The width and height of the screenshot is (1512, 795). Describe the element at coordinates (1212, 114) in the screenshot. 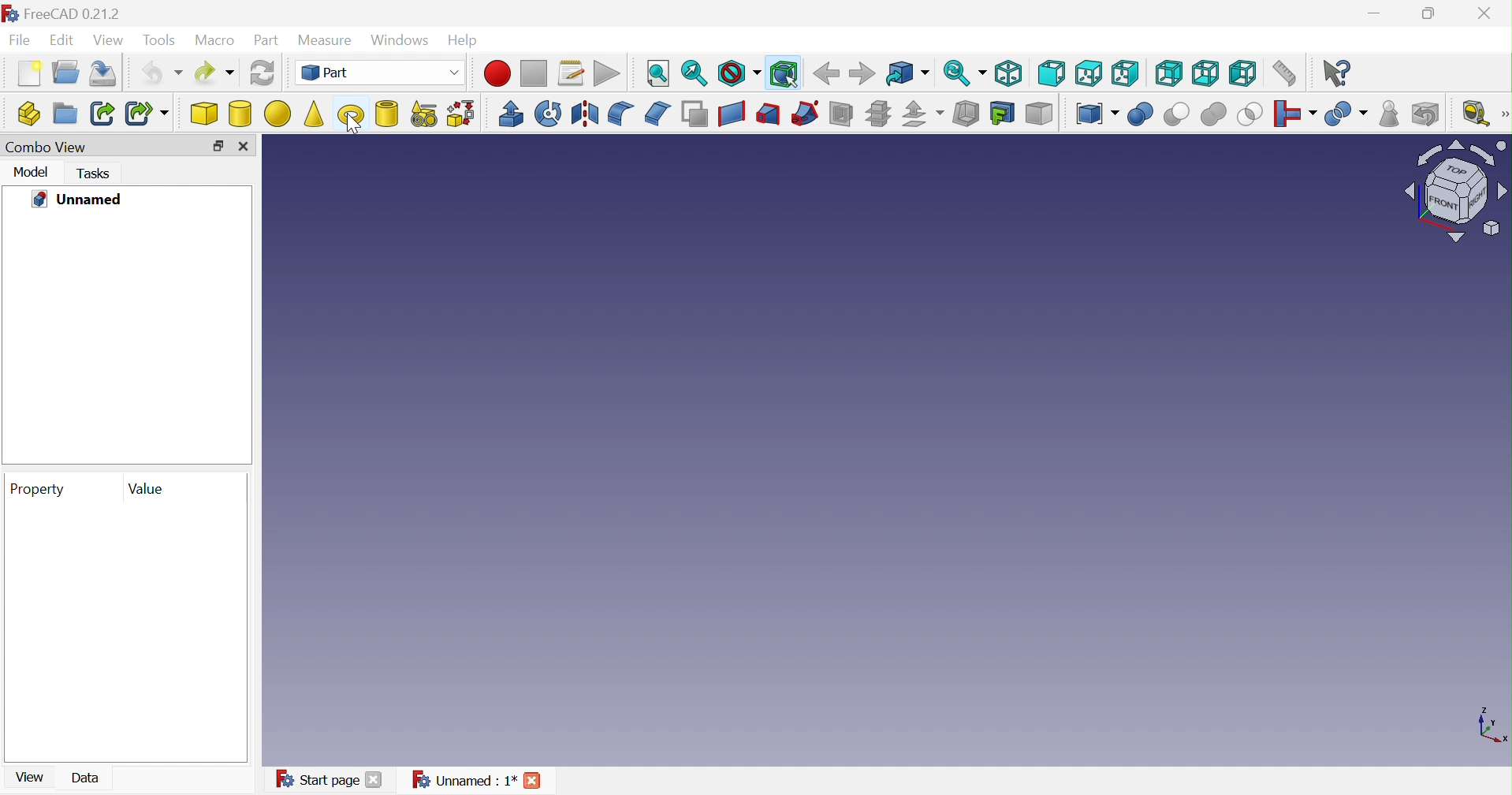

I see `Union` at that location.